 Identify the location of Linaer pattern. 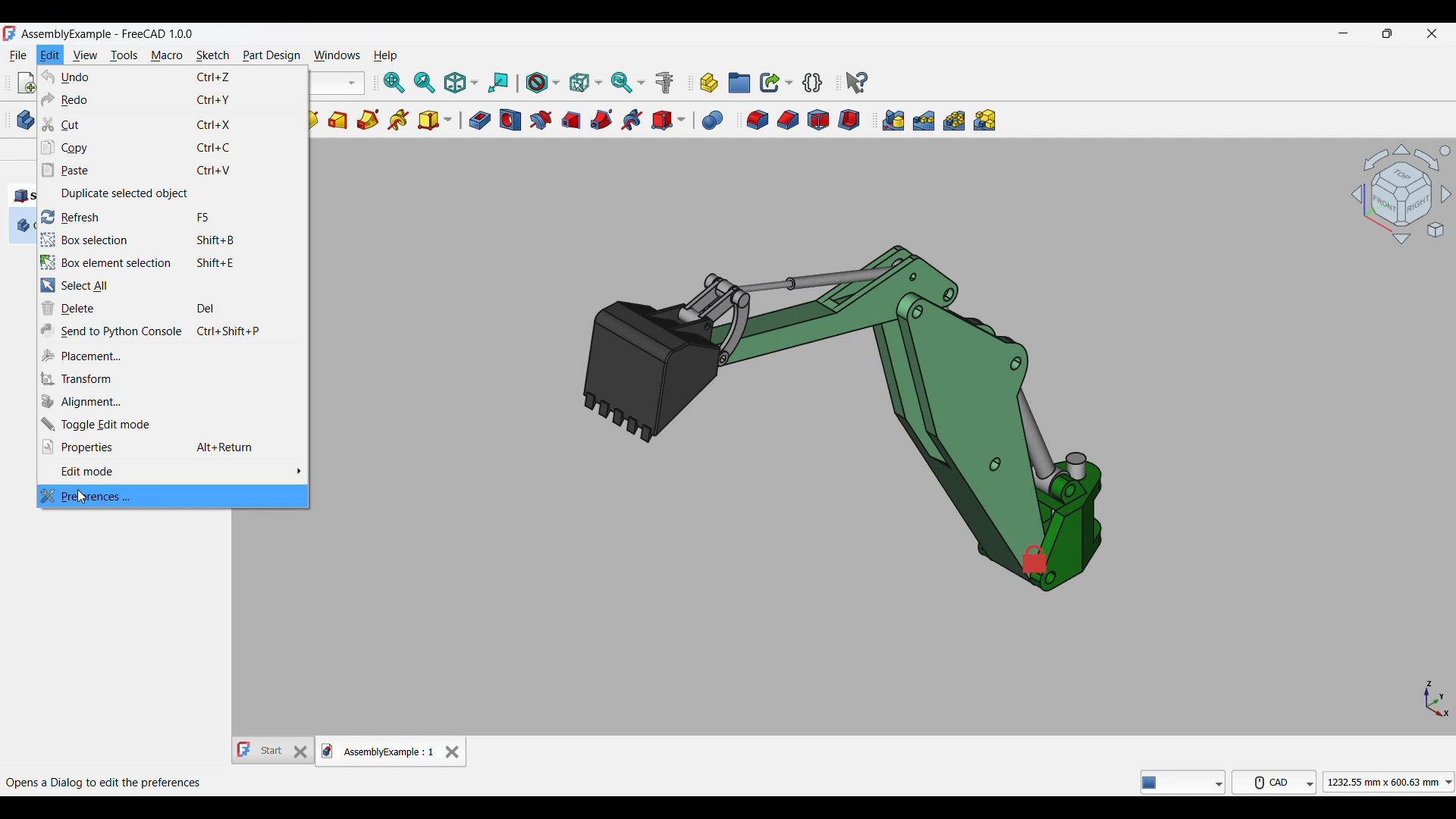
(924, 121).